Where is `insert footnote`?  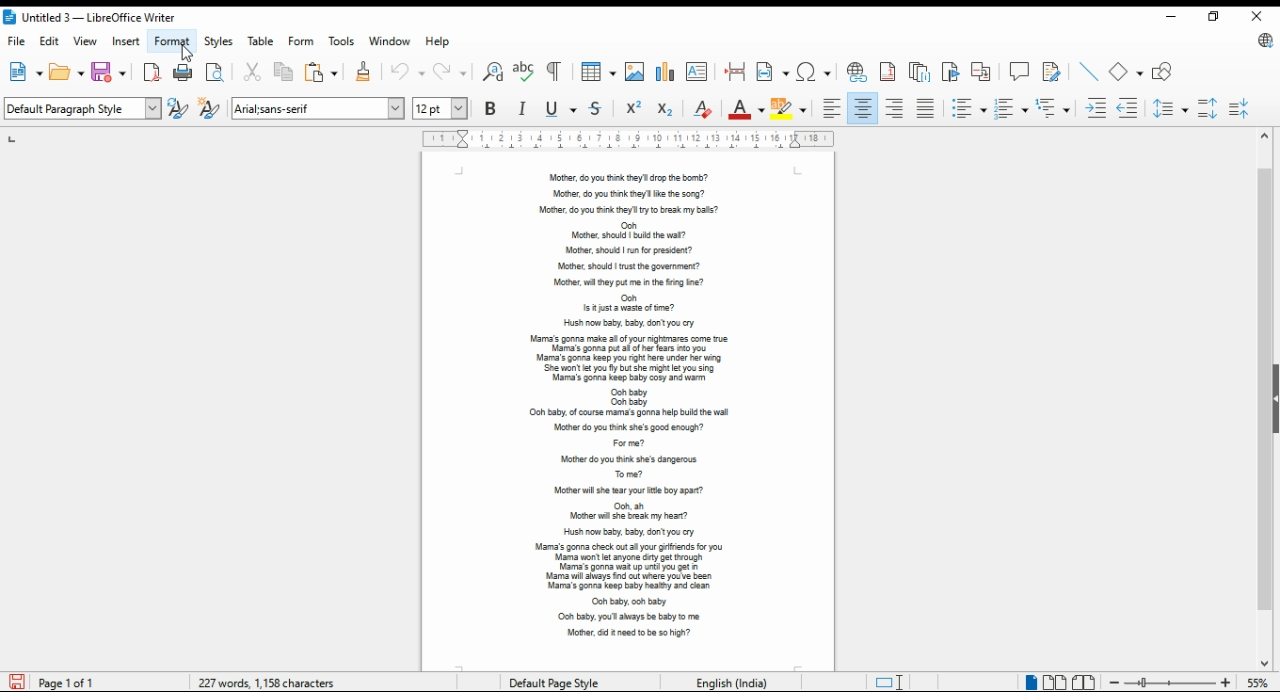 insert footnote is located at coordinates (889, 72).